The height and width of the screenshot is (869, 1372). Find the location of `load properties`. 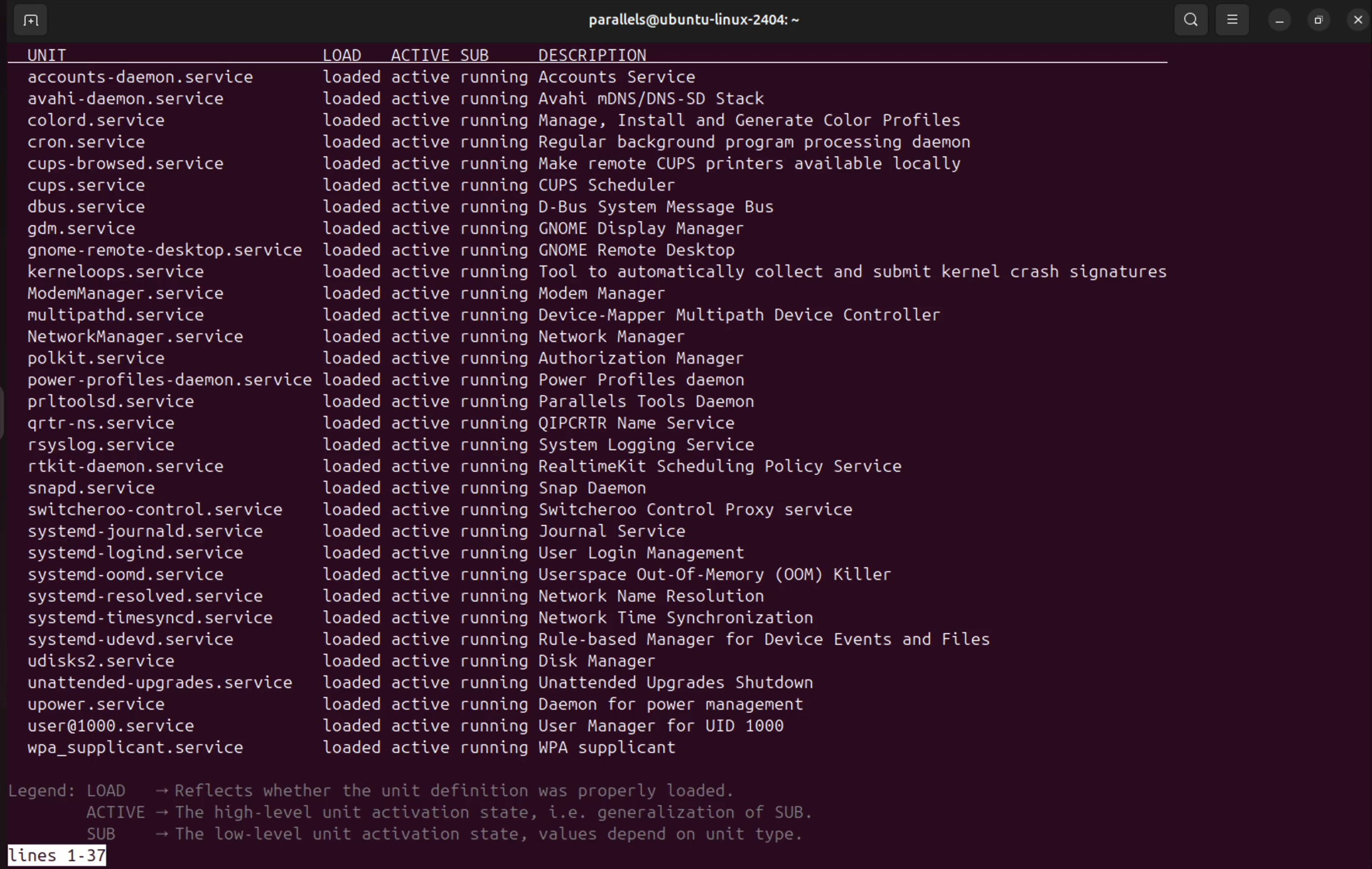

load properties is located at coordinates (417, 789).